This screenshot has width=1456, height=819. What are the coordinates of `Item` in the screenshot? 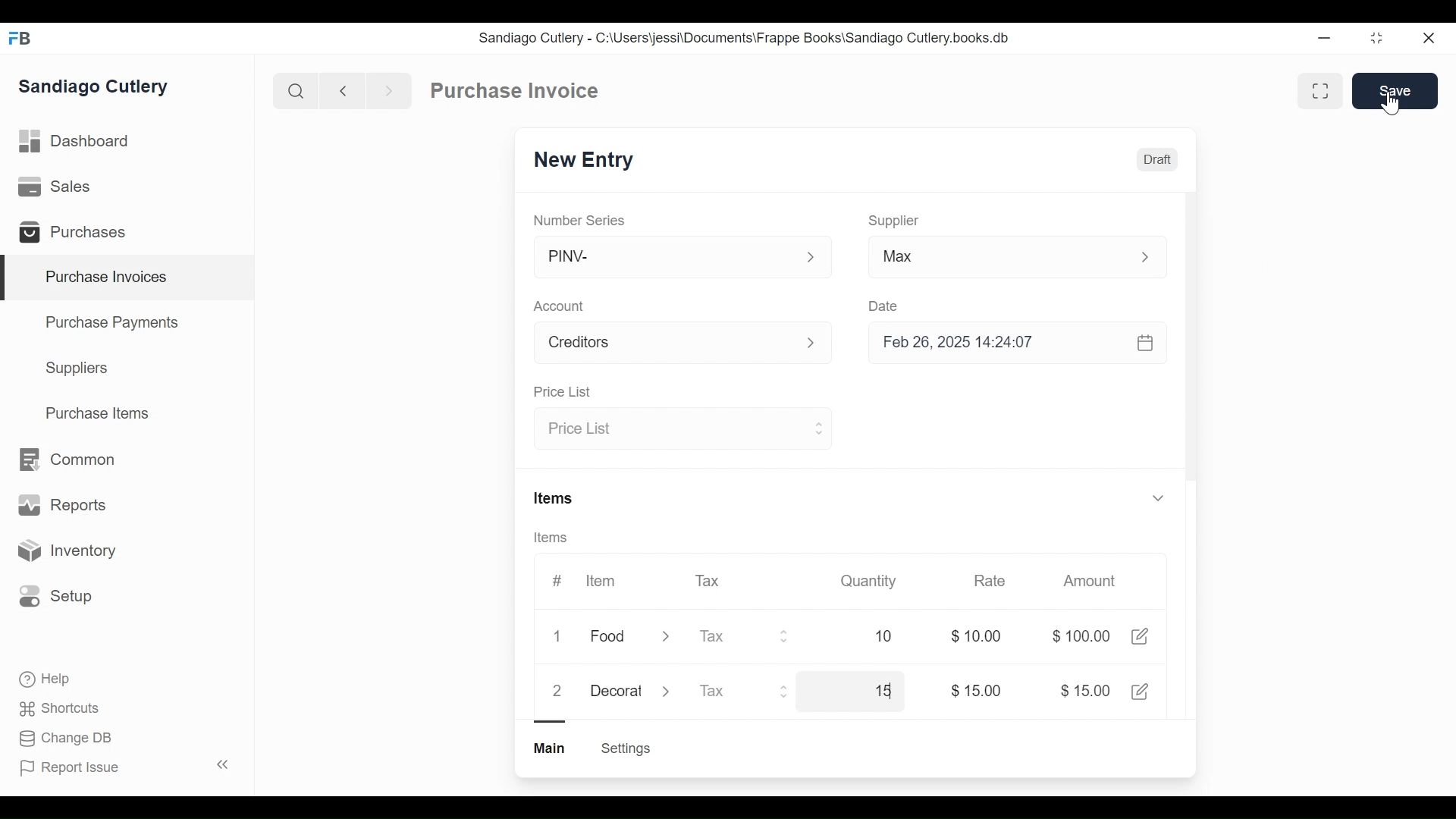 It's located at (599, 581).